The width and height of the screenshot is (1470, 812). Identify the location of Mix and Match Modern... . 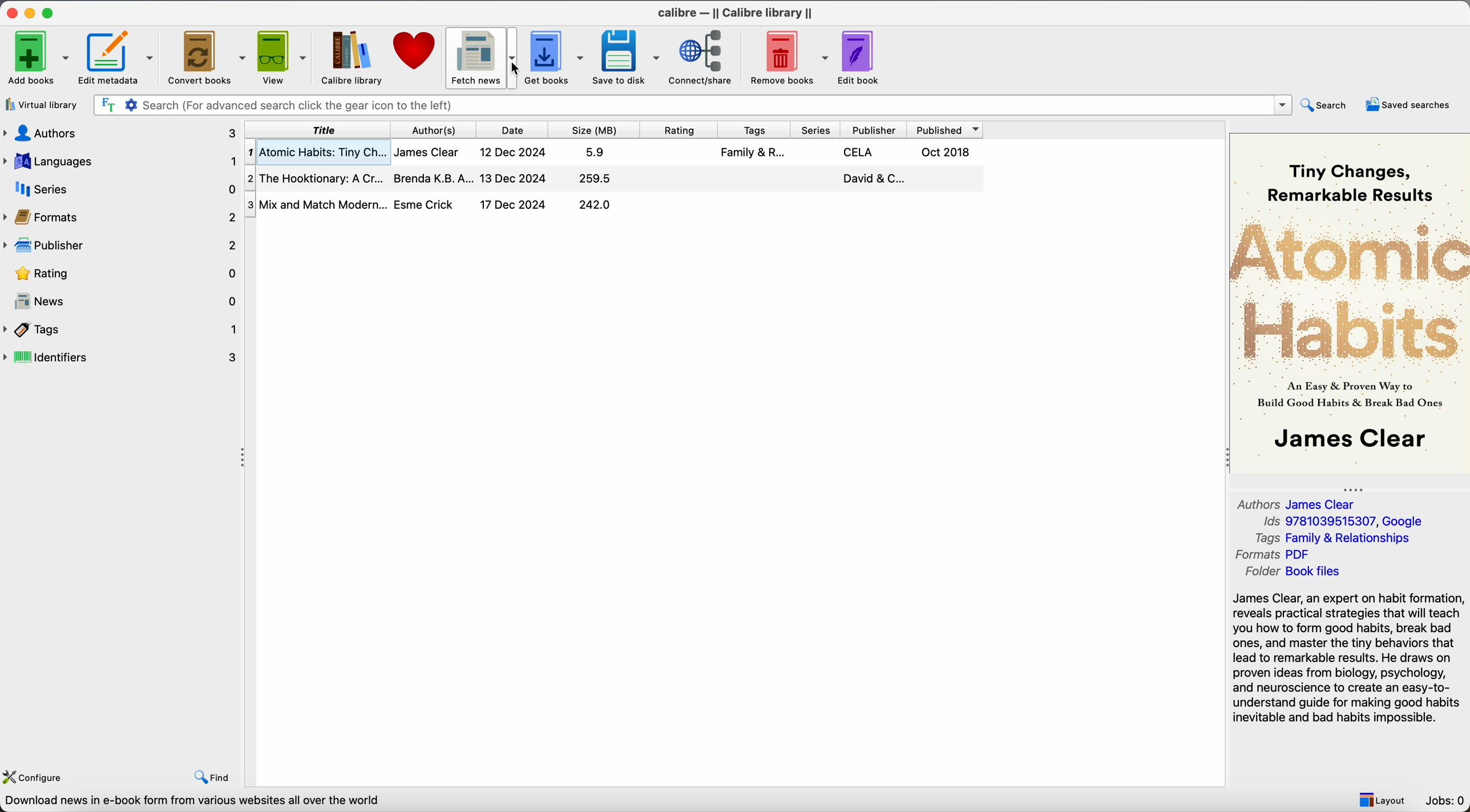
(316, 205).